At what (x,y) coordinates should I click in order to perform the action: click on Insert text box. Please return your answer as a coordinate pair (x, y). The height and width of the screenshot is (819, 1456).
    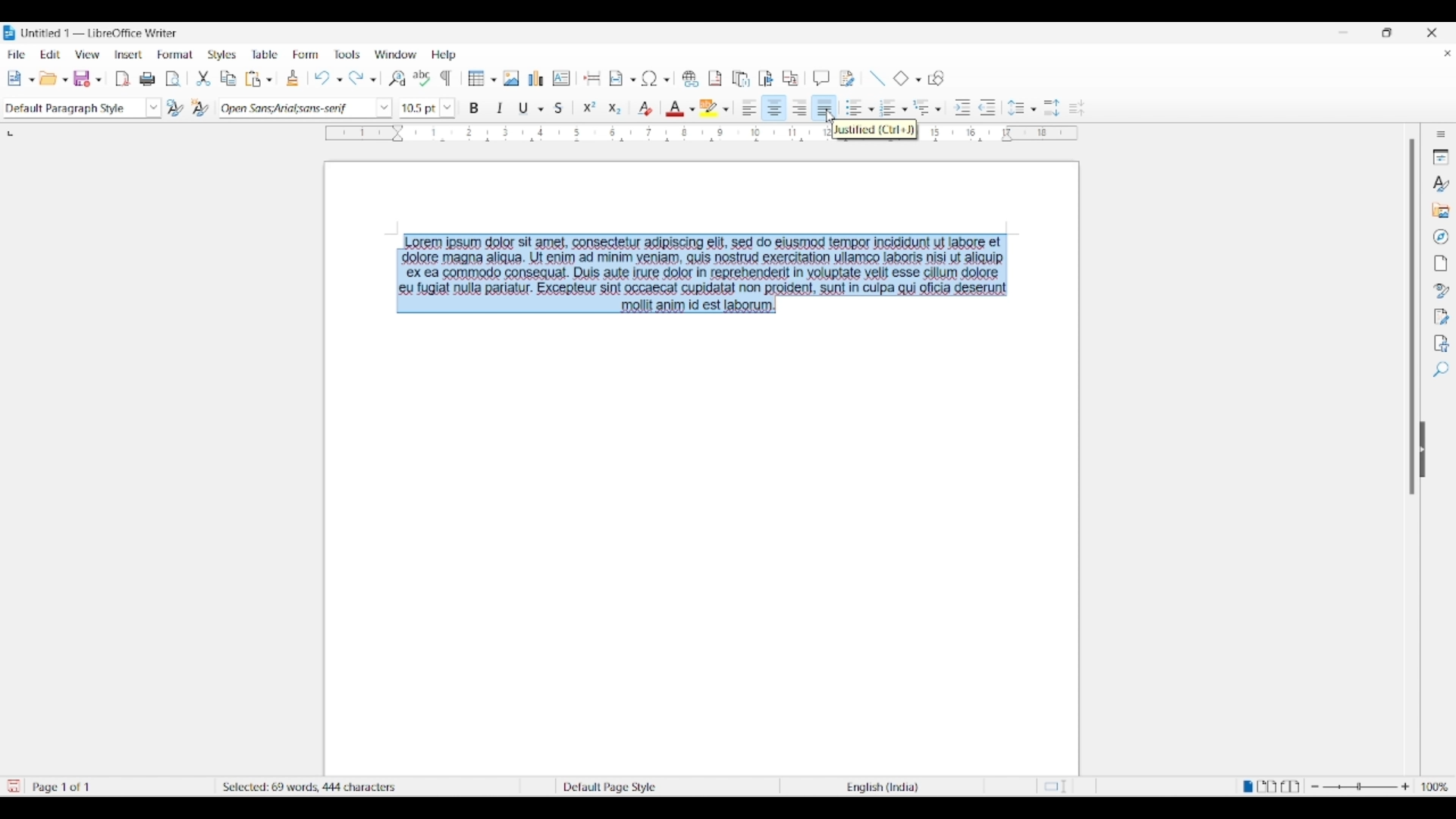
    Looking at the image, I should click on (562, 78).